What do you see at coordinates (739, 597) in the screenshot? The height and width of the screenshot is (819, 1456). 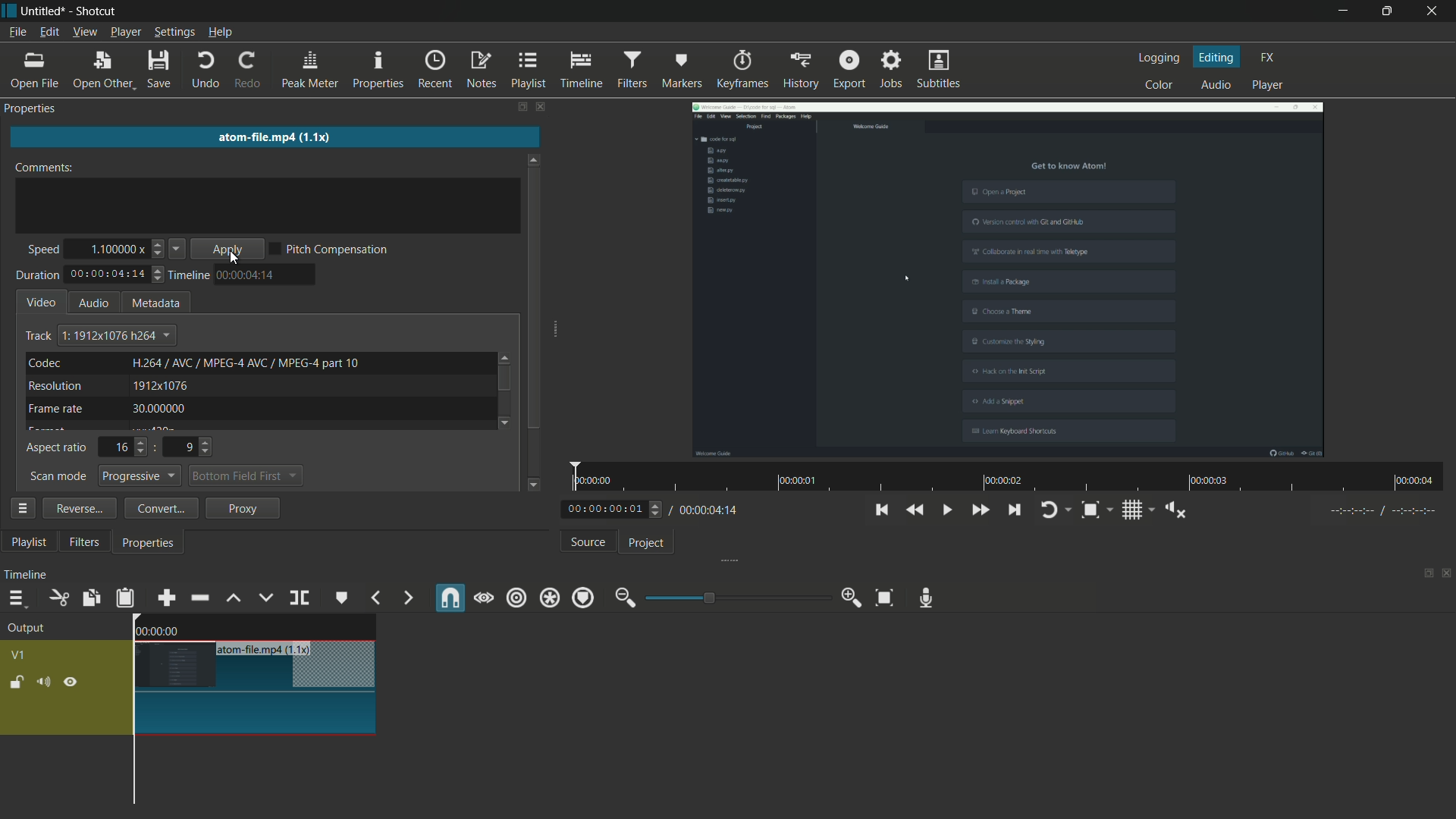 I see `adjustment bar` at bounding box center [739, 597].